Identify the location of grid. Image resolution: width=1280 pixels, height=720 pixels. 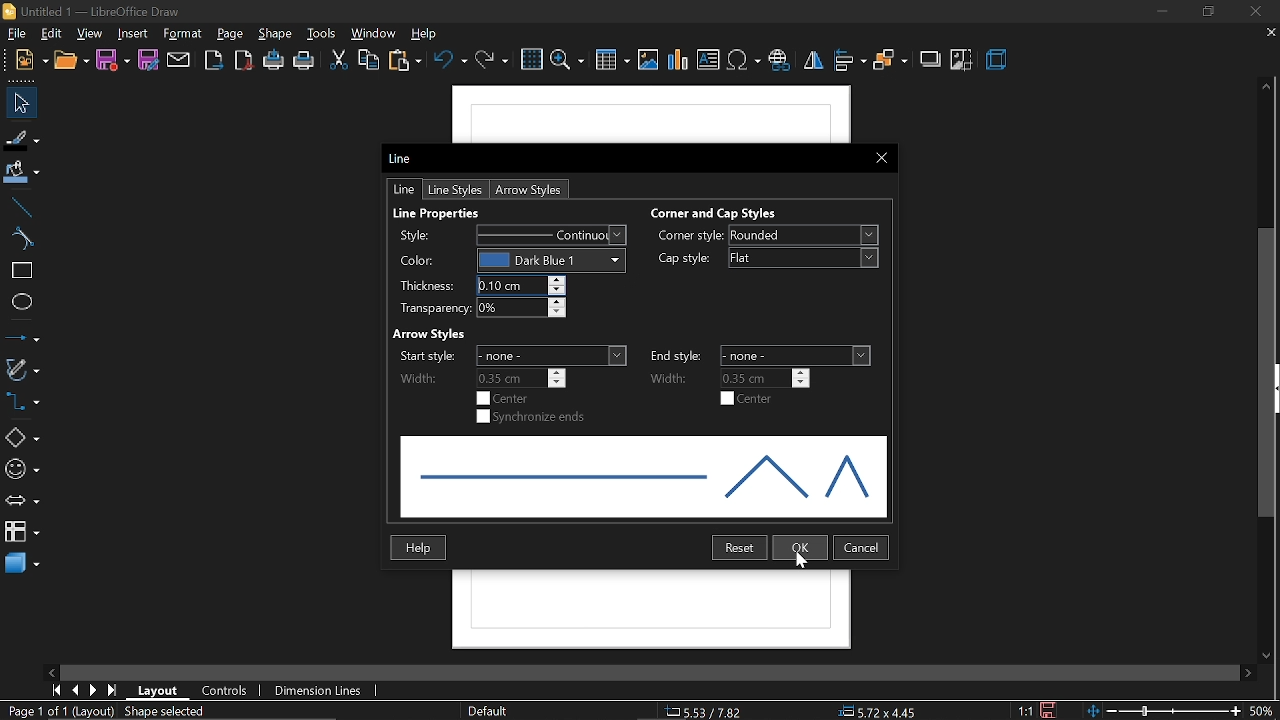
(532, 60).